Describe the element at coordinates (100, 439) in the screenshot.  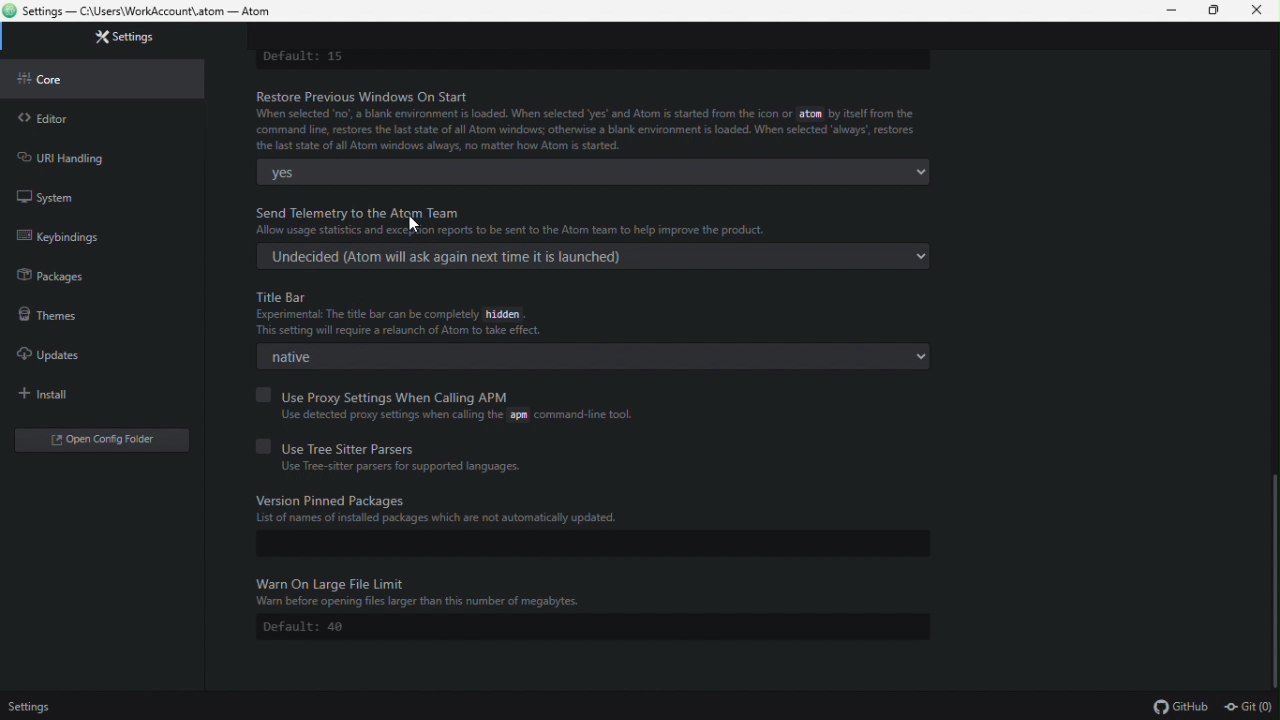
I see `open config editor` at that location.